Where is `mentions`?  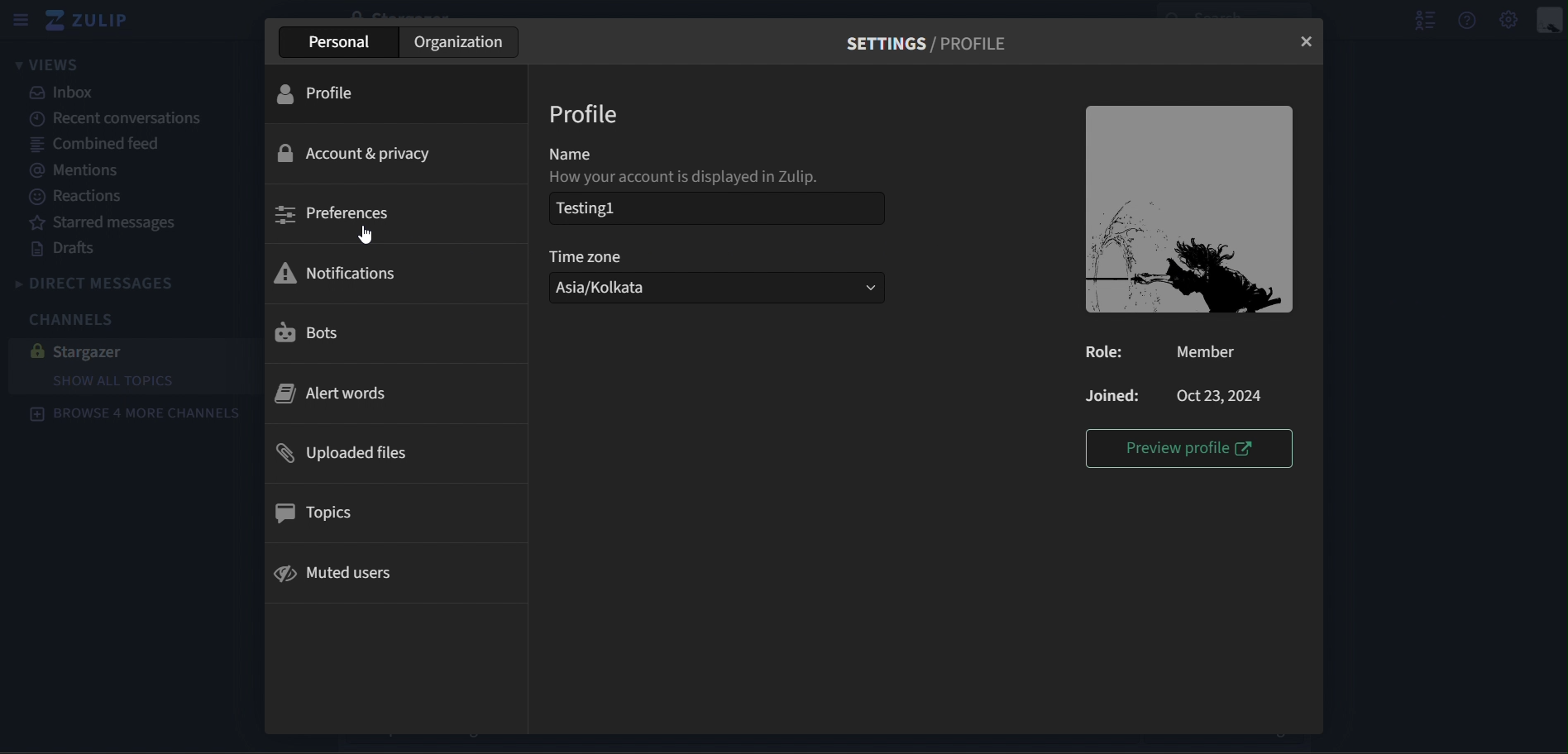
mentions is located at coordinates (84, 171).